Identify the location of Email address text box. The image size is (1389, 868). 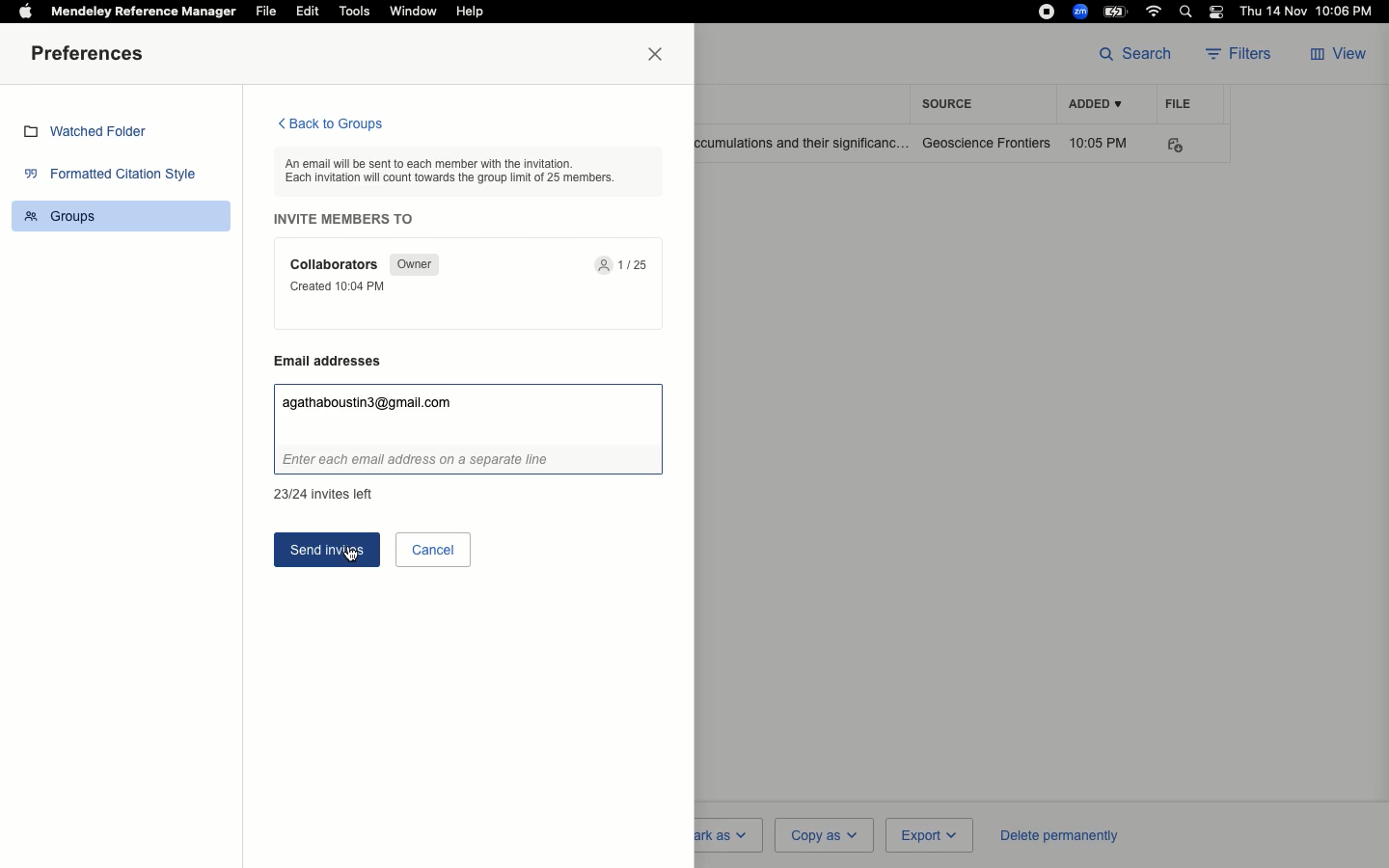
(469, 430).